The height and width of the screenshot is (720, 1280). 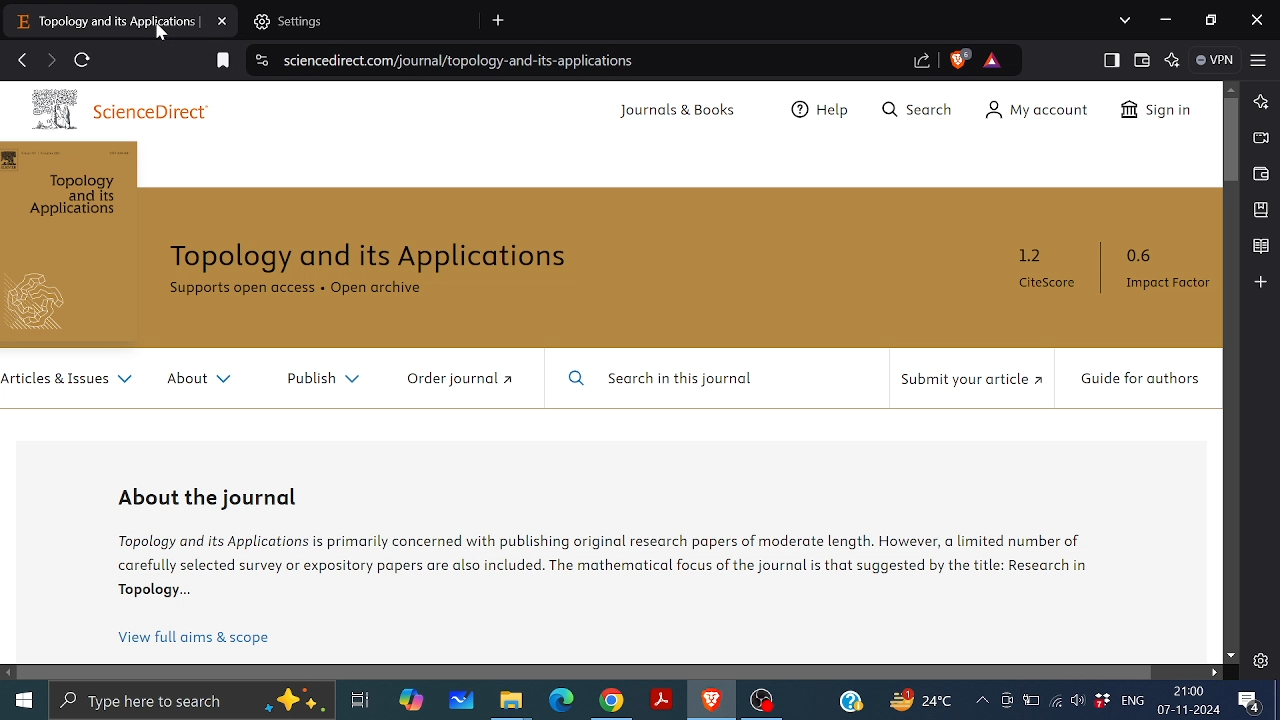 I want to click on Dropbox, so click(x=1102, y=701).